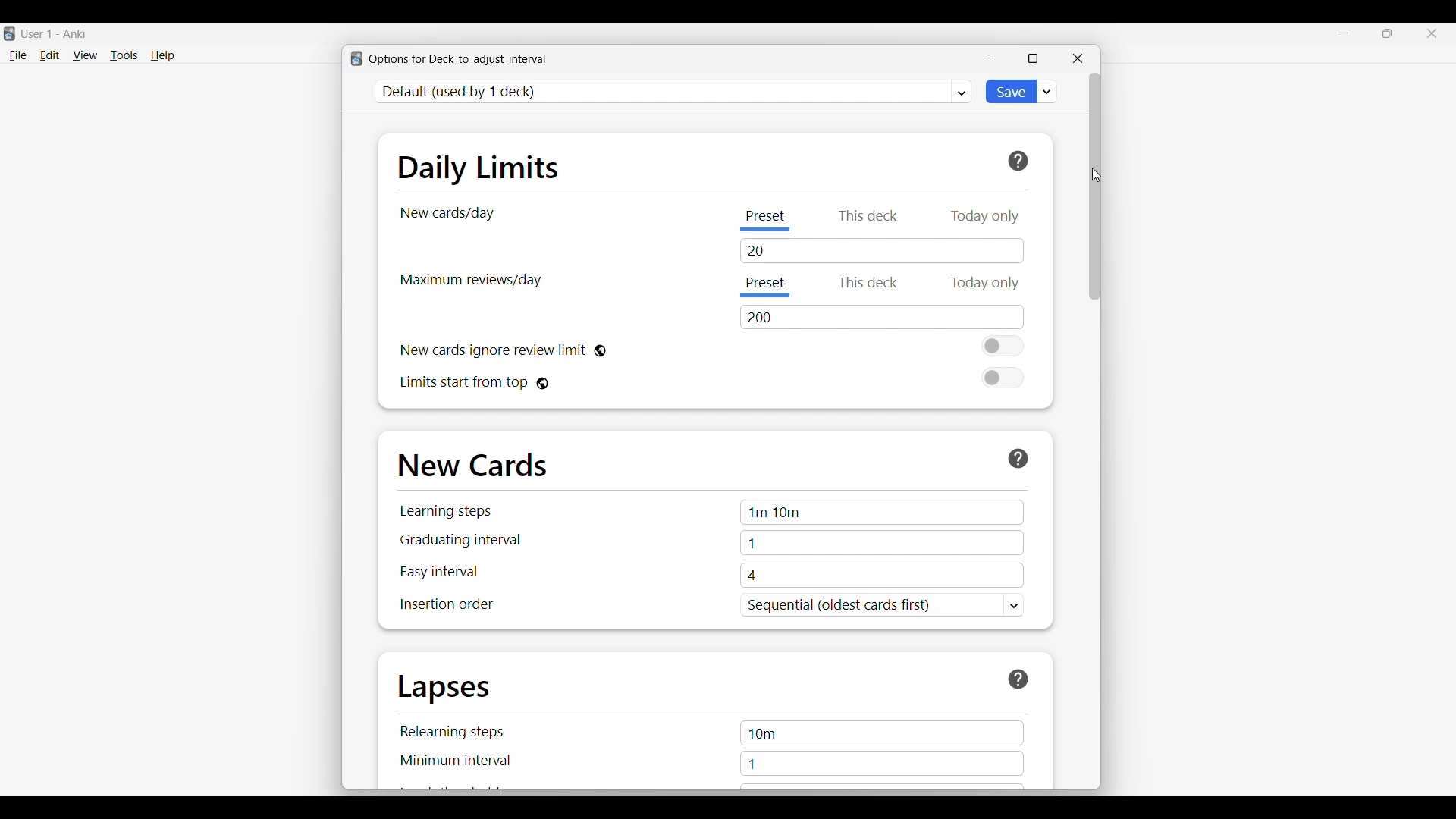 This screenshot has height=819, width=1456. What do you see at coordinates (987, 284) in the screenshot?
I see `Today only` at bounding box center [987, 284].